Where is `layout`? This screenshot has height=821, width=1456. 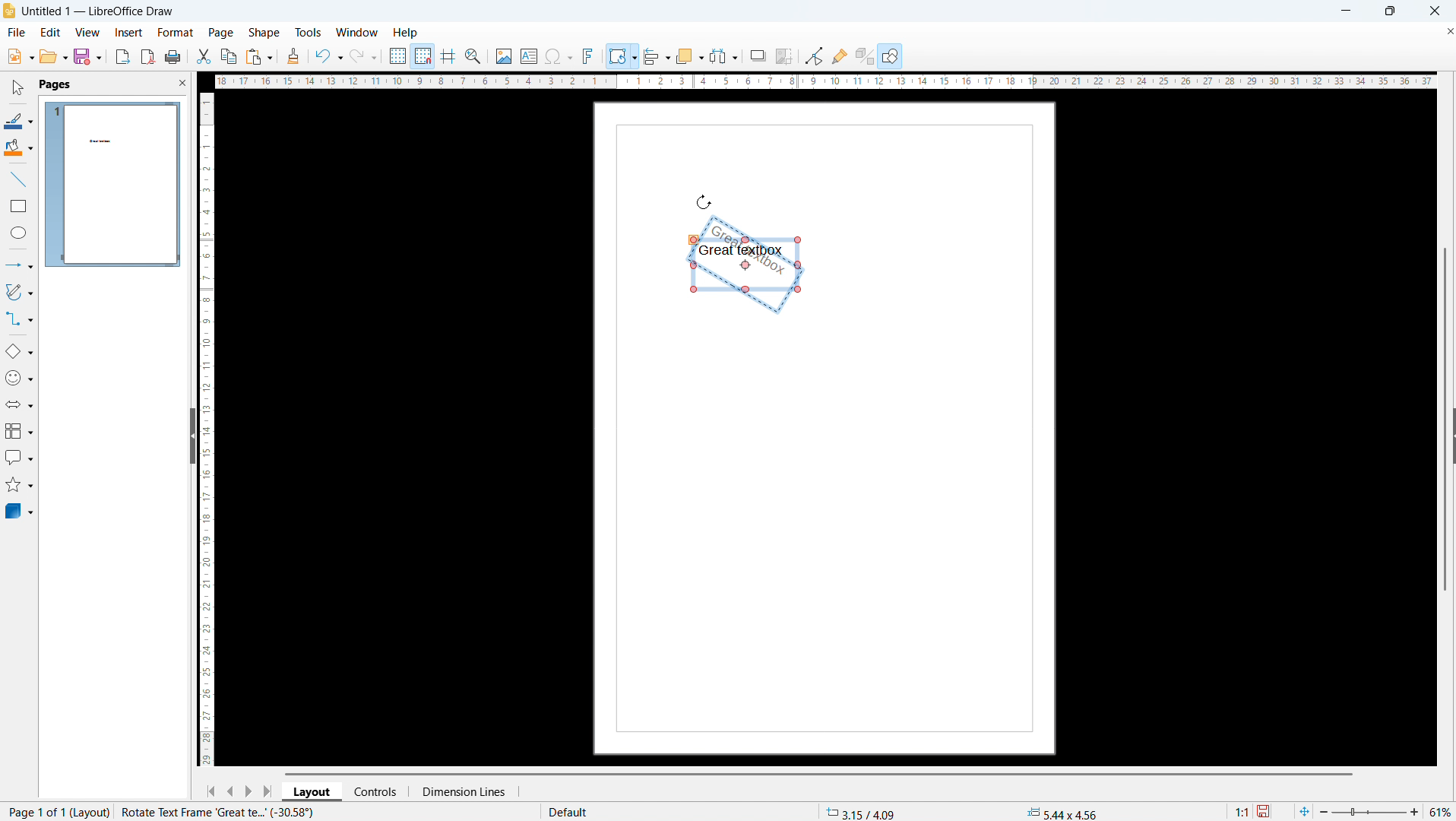
layout is located at coordinates (313, 791).